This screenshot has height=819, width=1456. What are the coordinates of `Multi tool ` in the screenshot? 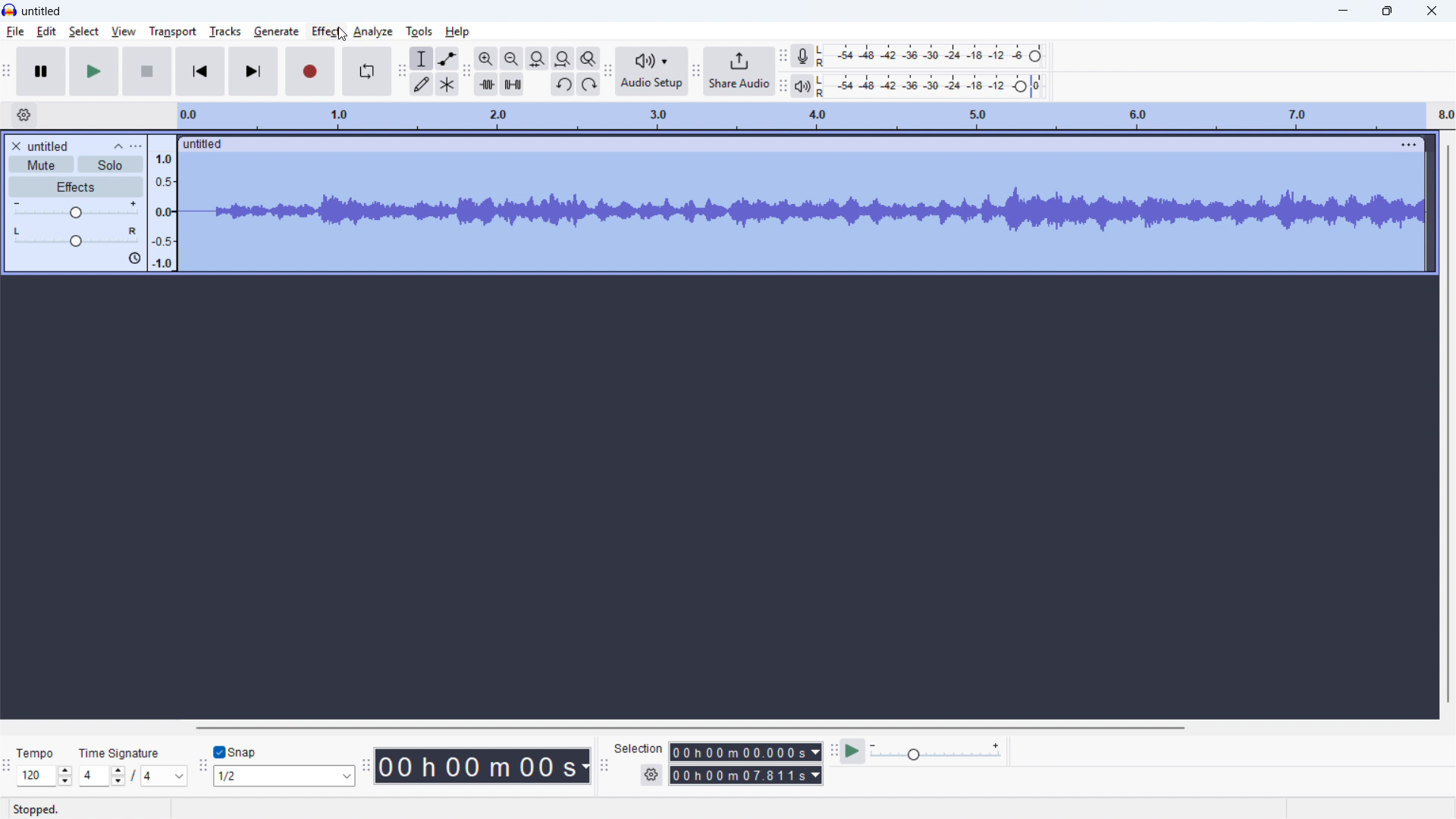 It's located at (447, 85).